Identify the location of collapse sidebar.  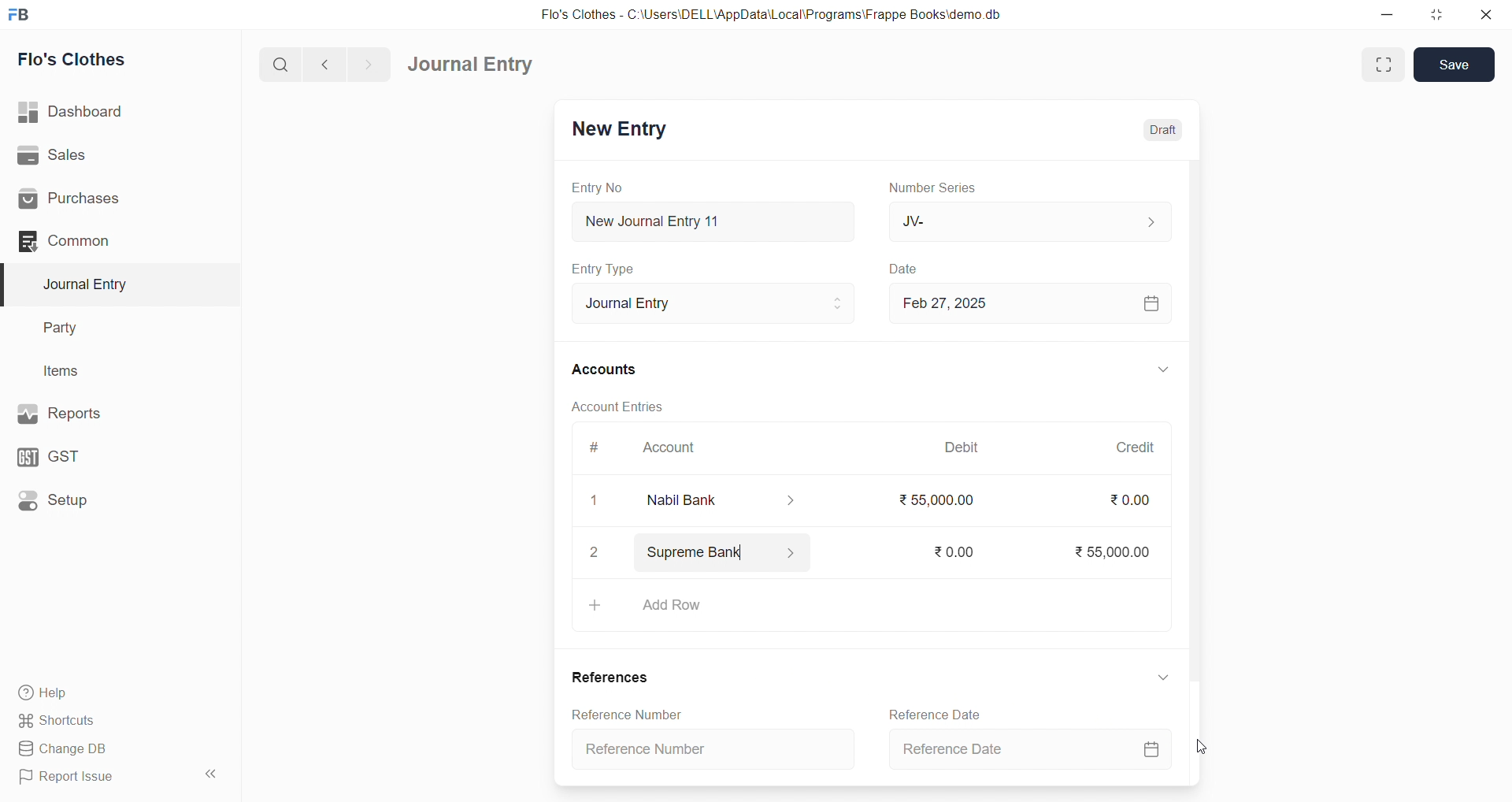
(213, 774).